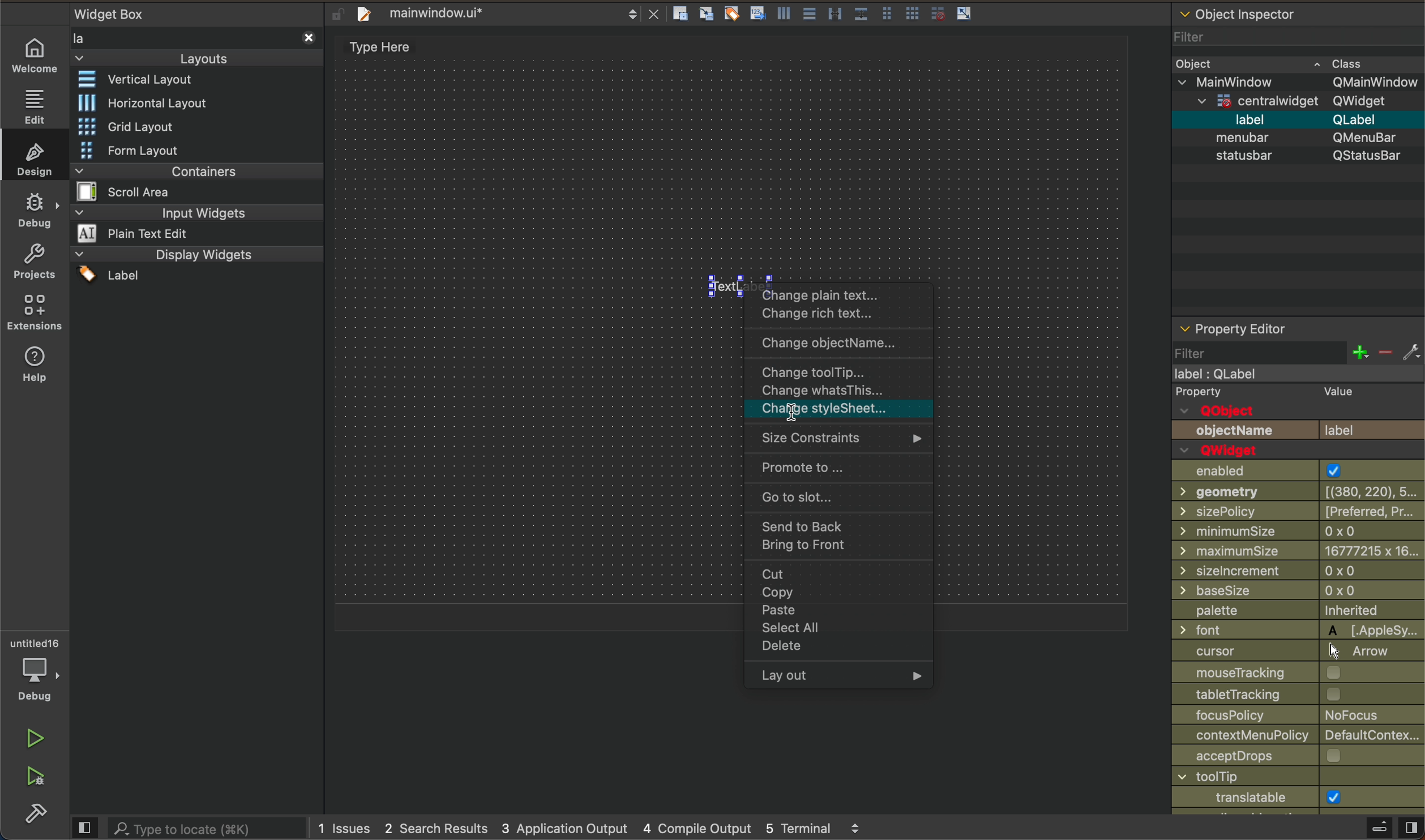  What do you see at coordinates (833, 393) in the screenshot?
I see `change` at bounding box center [833, 393].